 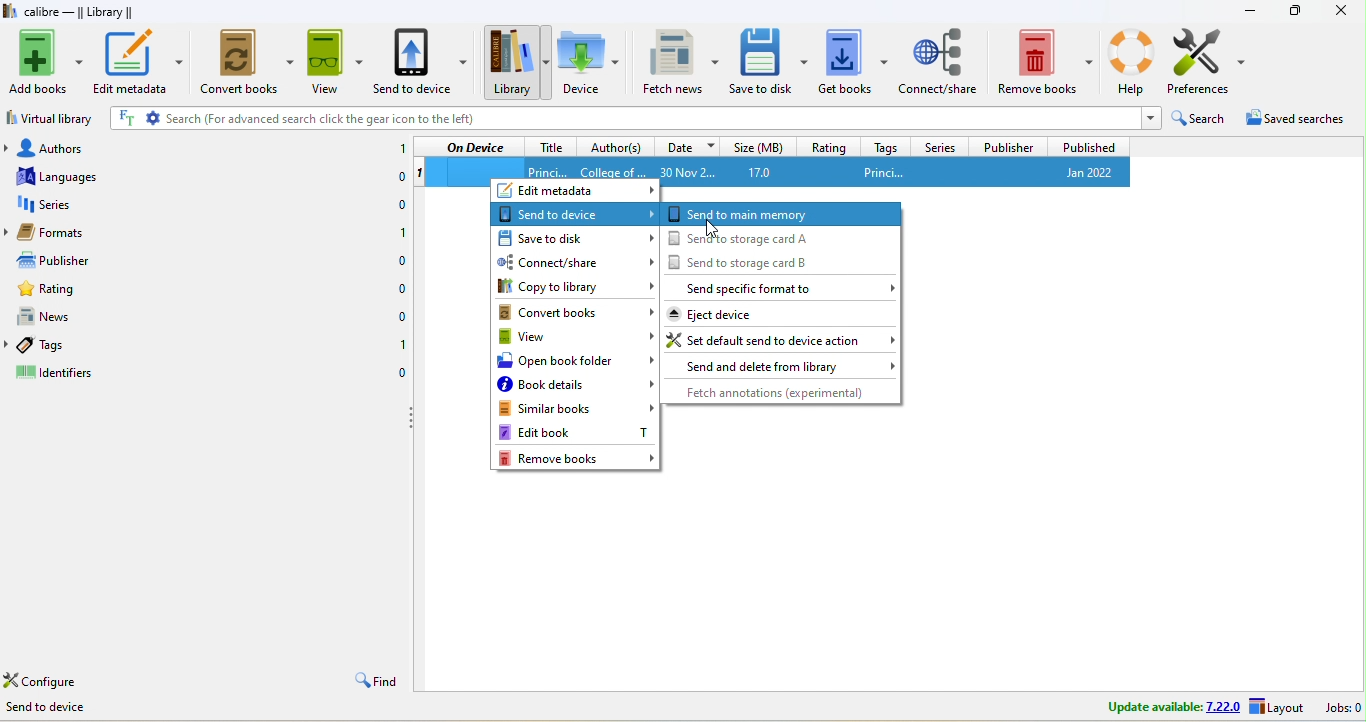 I want to click on 17.0, so click(x=773, y=172).